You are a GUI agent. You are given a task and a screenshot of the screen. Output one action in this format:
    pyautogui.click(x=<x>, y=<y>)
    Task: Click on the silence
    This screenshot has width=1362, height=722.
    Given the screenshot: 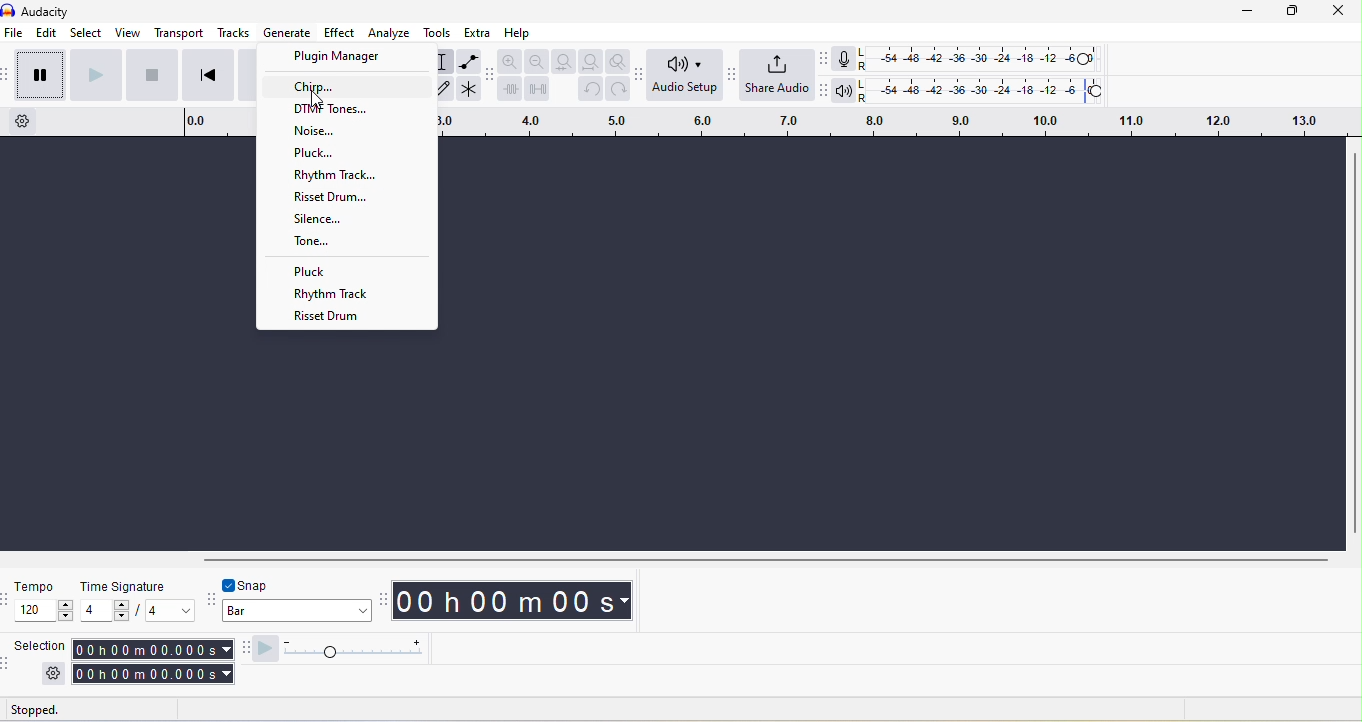 What is the action you would take?
    pyautogui.click(x=330, y=219)
    